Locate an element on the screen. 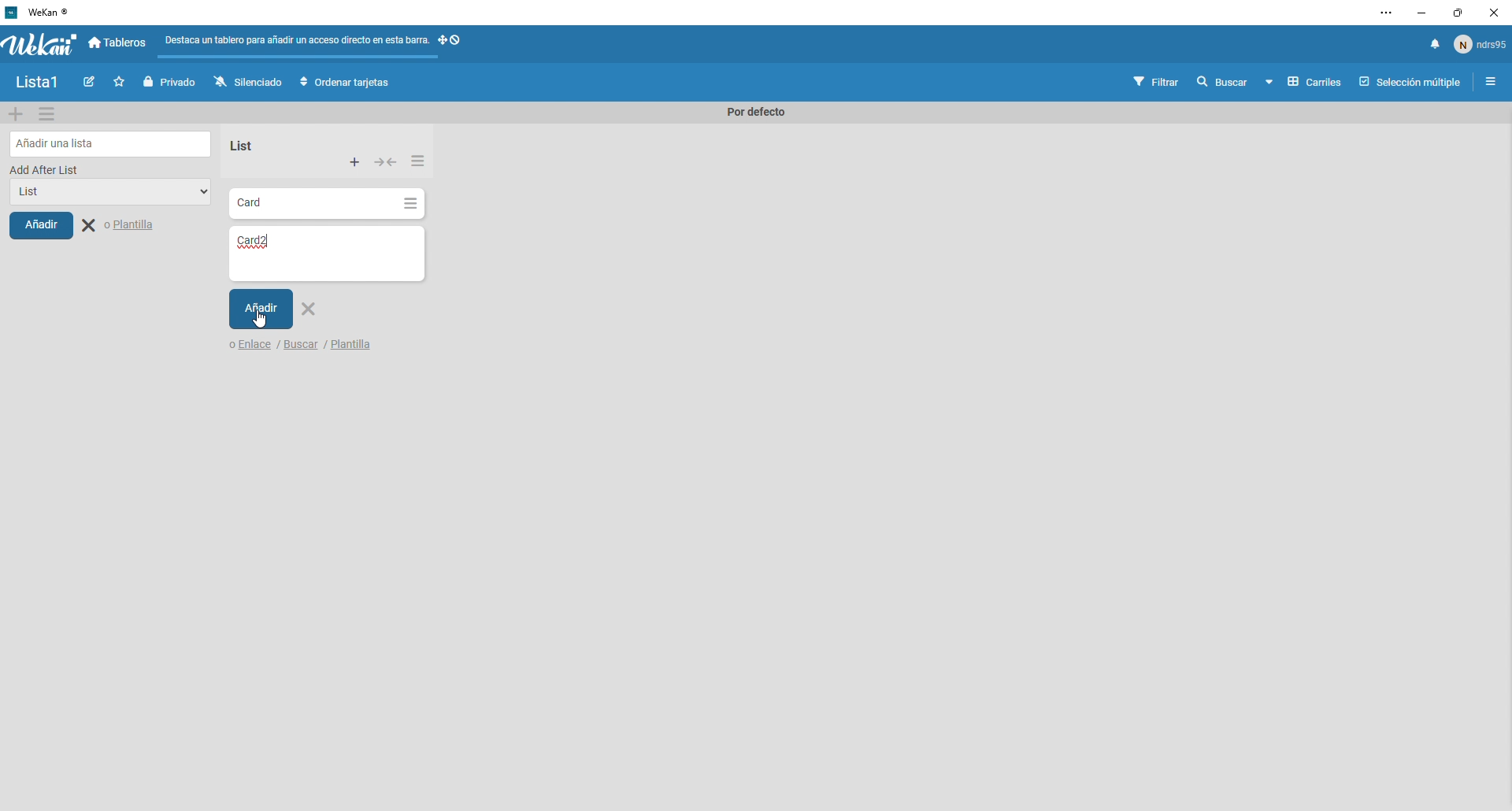  Add a list is located at coordinates (112, 143).